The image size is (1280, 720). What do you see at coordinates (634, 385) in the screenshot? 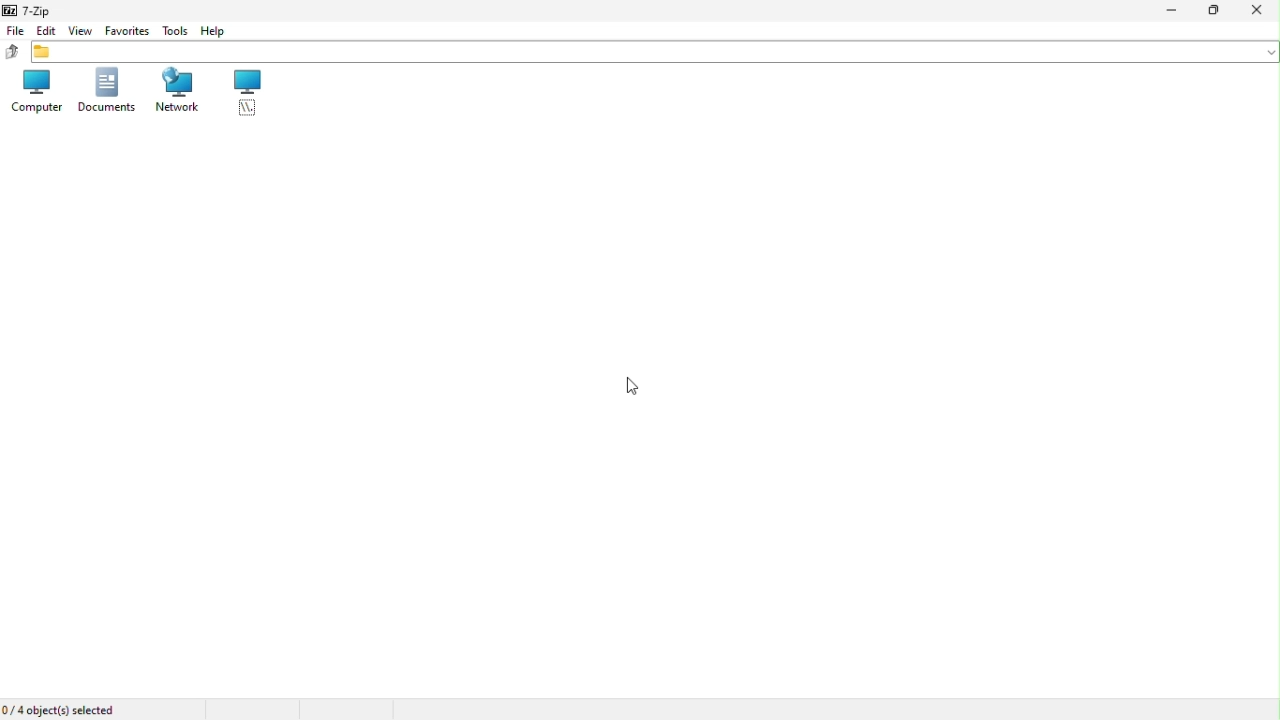
I see `cursor` at bounding box center [634, 385].